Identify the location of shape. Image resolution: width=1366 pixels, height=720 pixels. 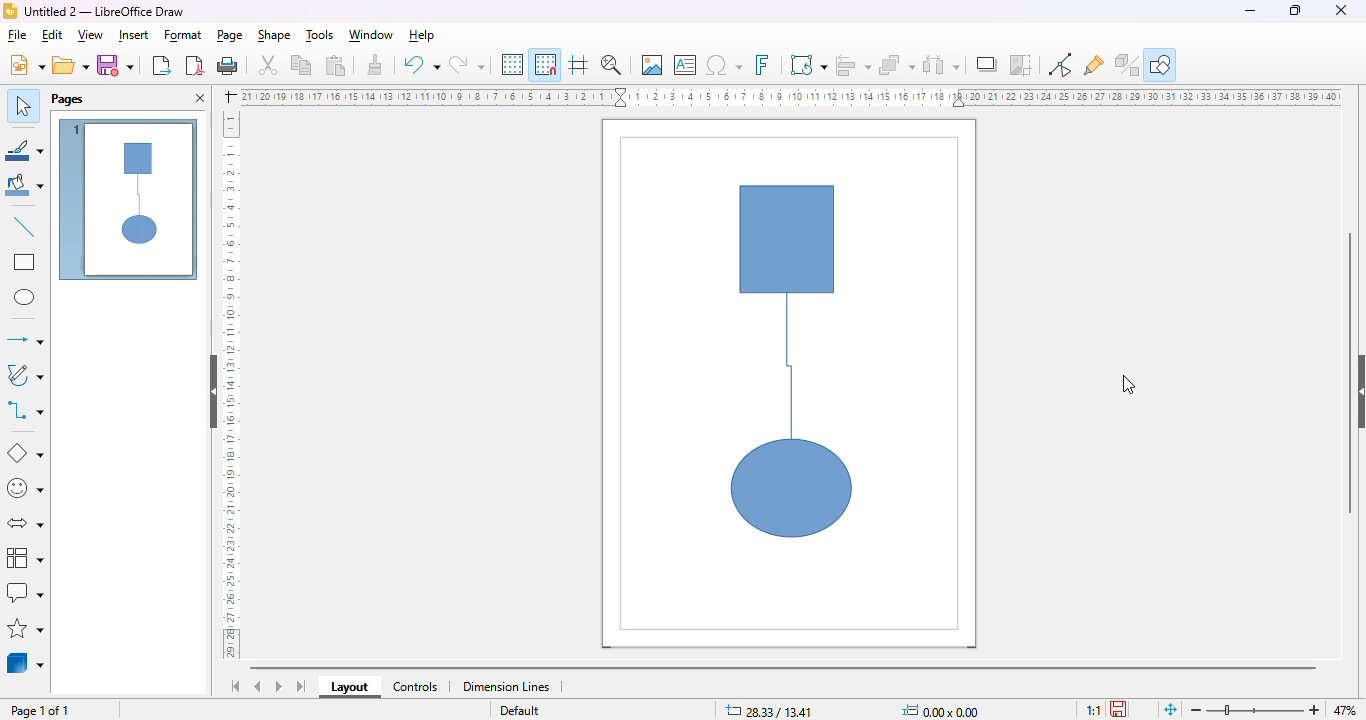
(273, 35).